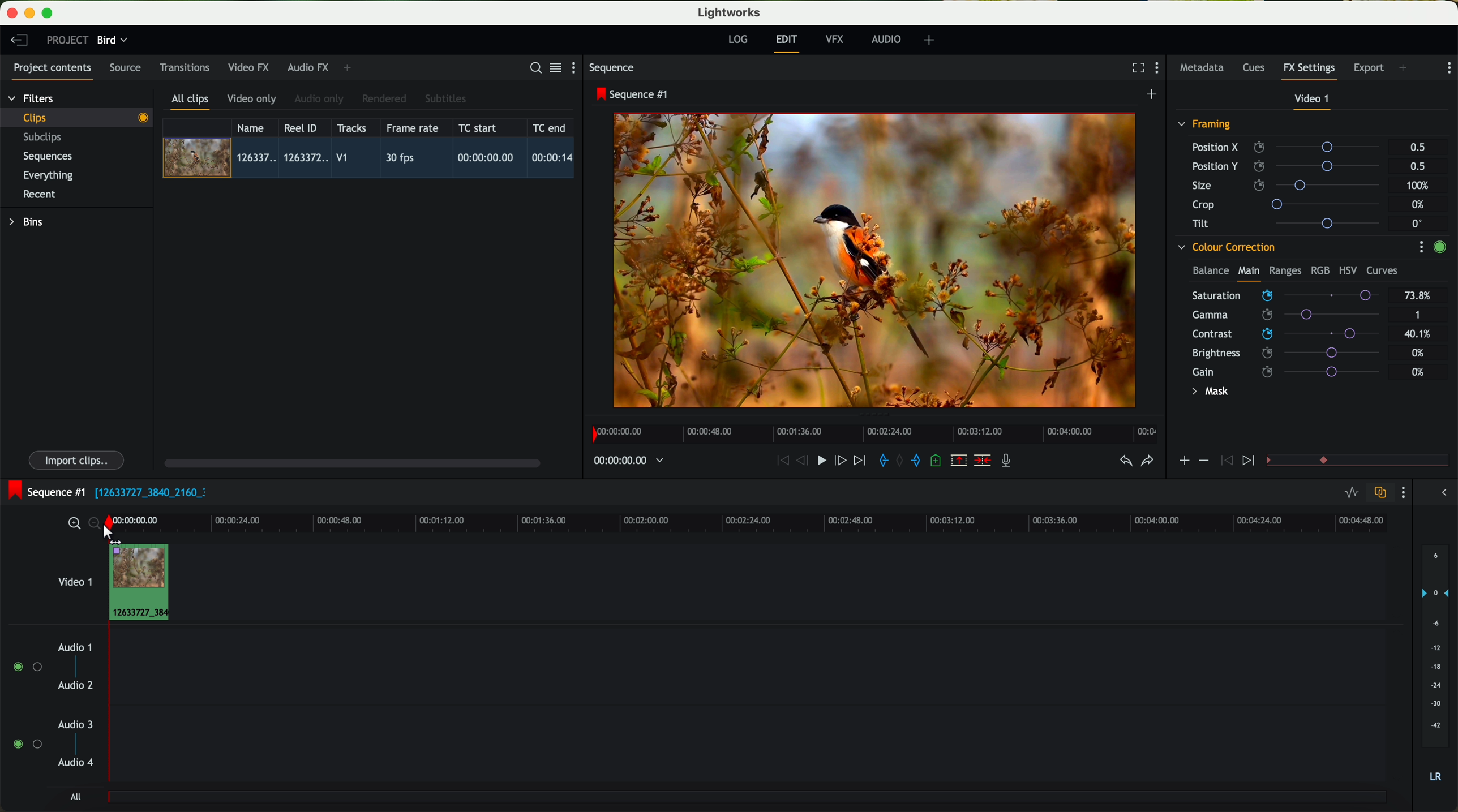  What do you see at coordinates (28, 222) in the screenshot?
I see `bins` at bounding box center [28, 222].